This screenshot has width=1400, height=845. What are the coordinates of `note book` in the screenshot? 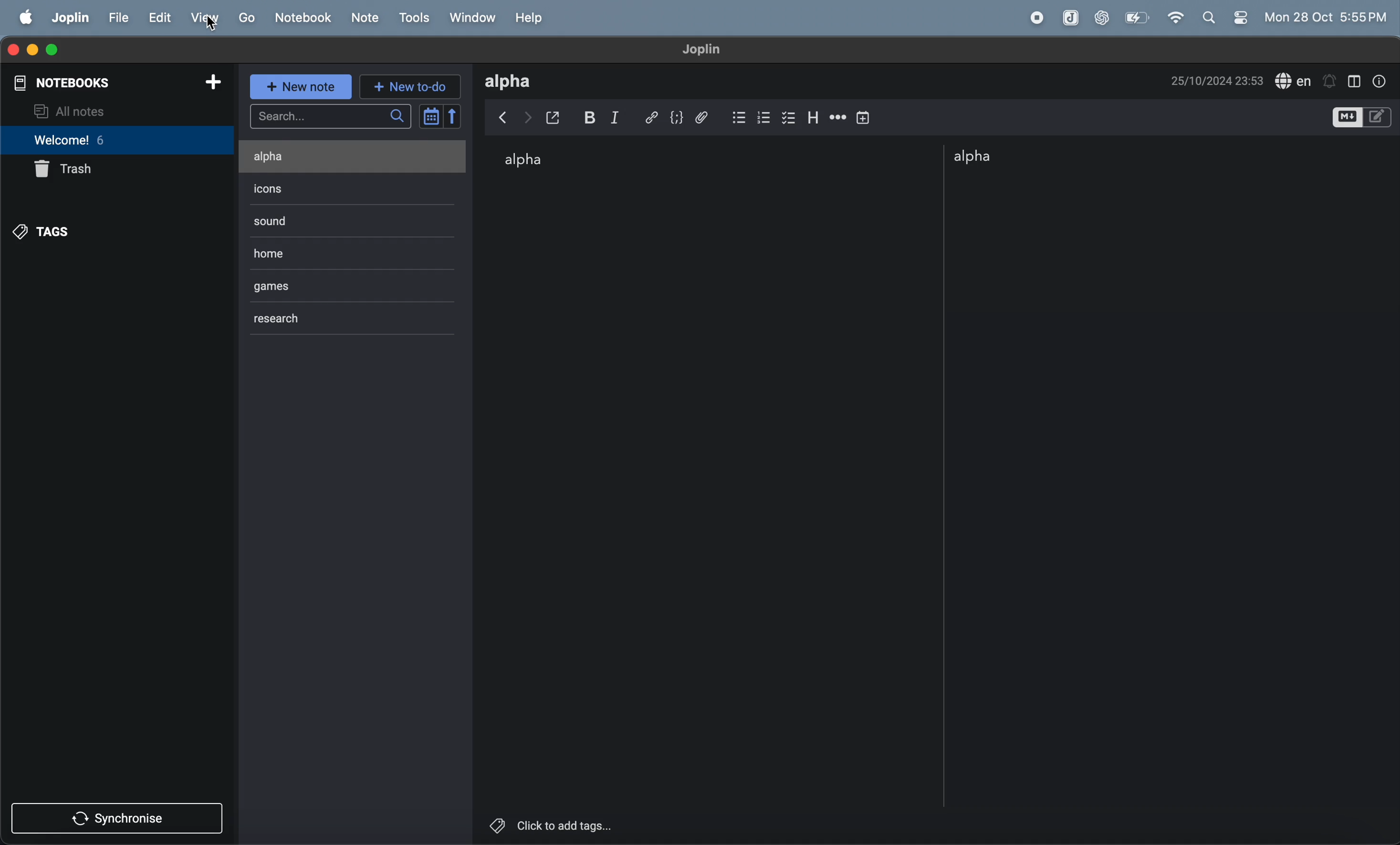 It's located at (302, 17).